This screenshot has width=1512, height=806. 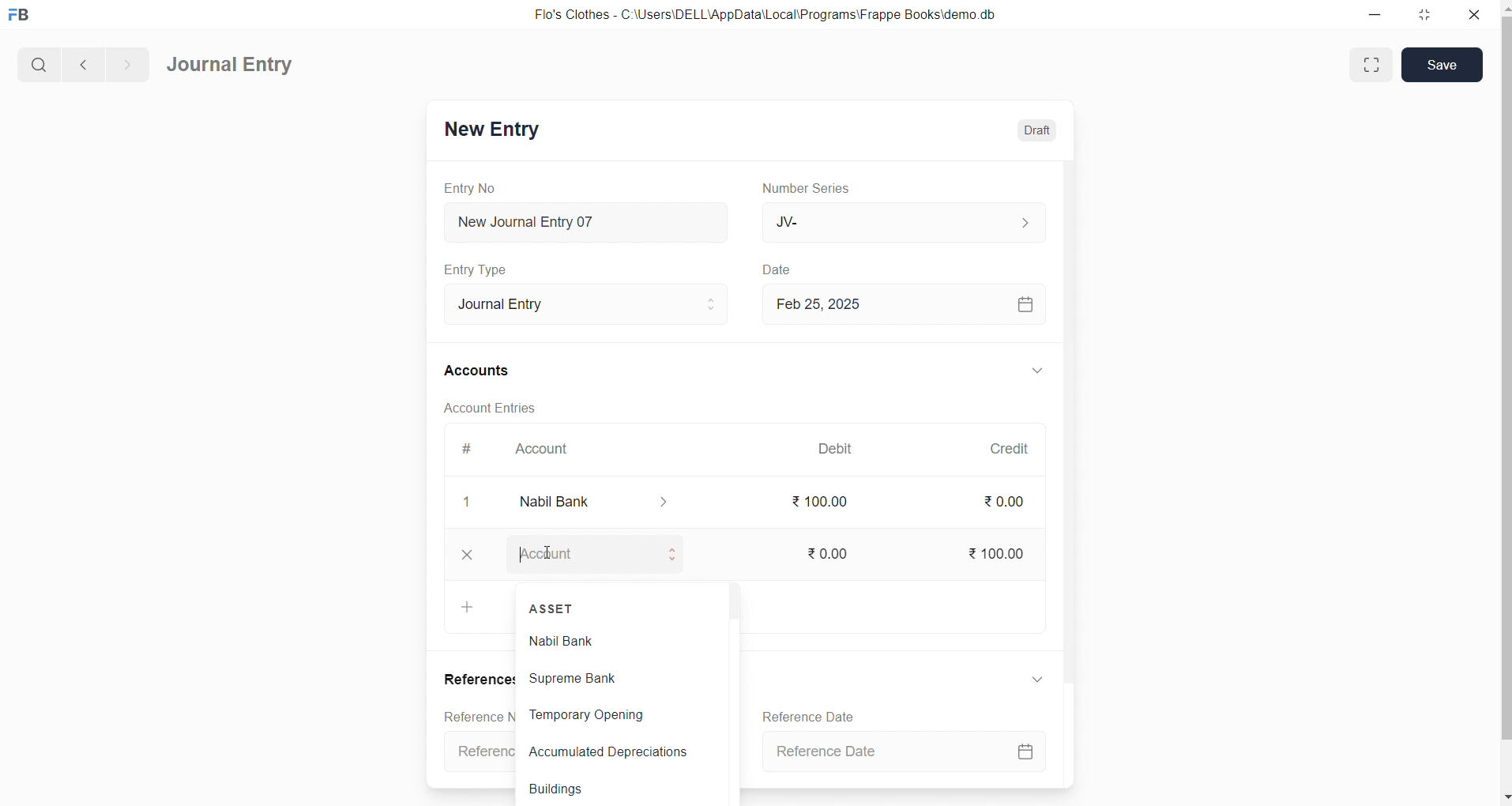 What do you see at coordinates (553, 450) in the screenshot?
I see `Account` at bounding box center [553, 450].